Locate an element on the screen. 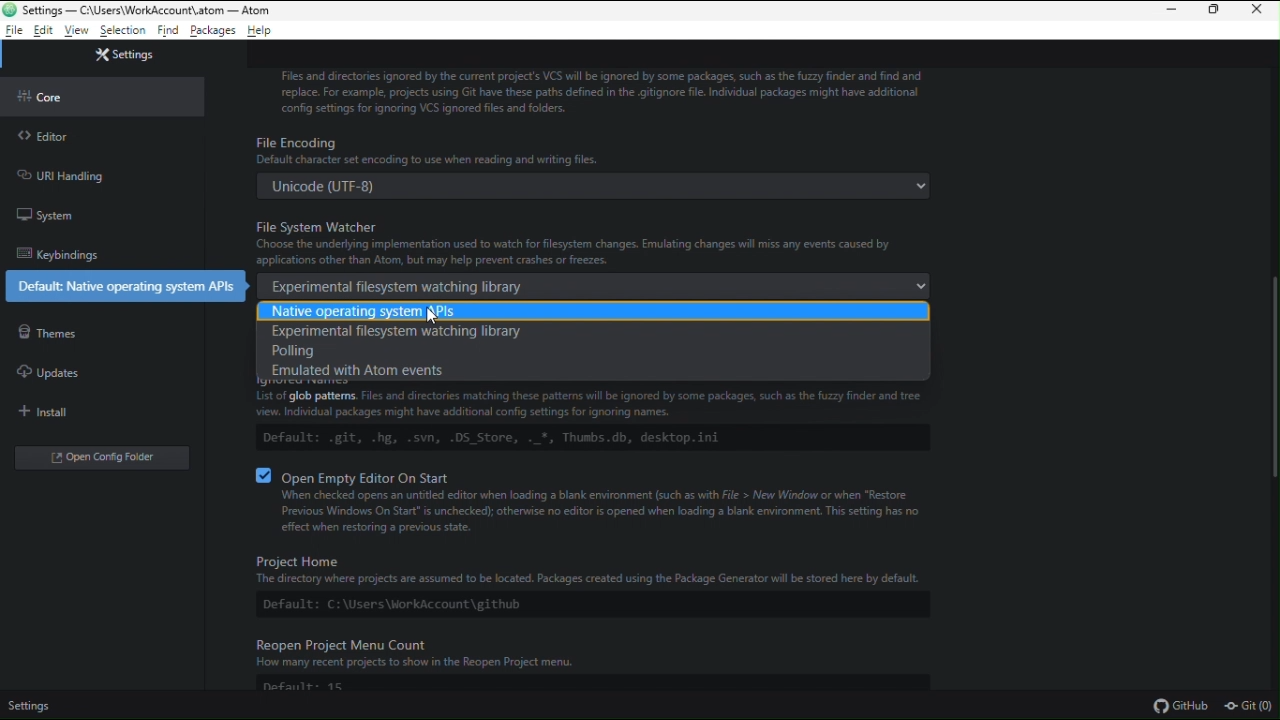 This screenshot has height=720, width=1280. Text is located at coordinates (600, 89).